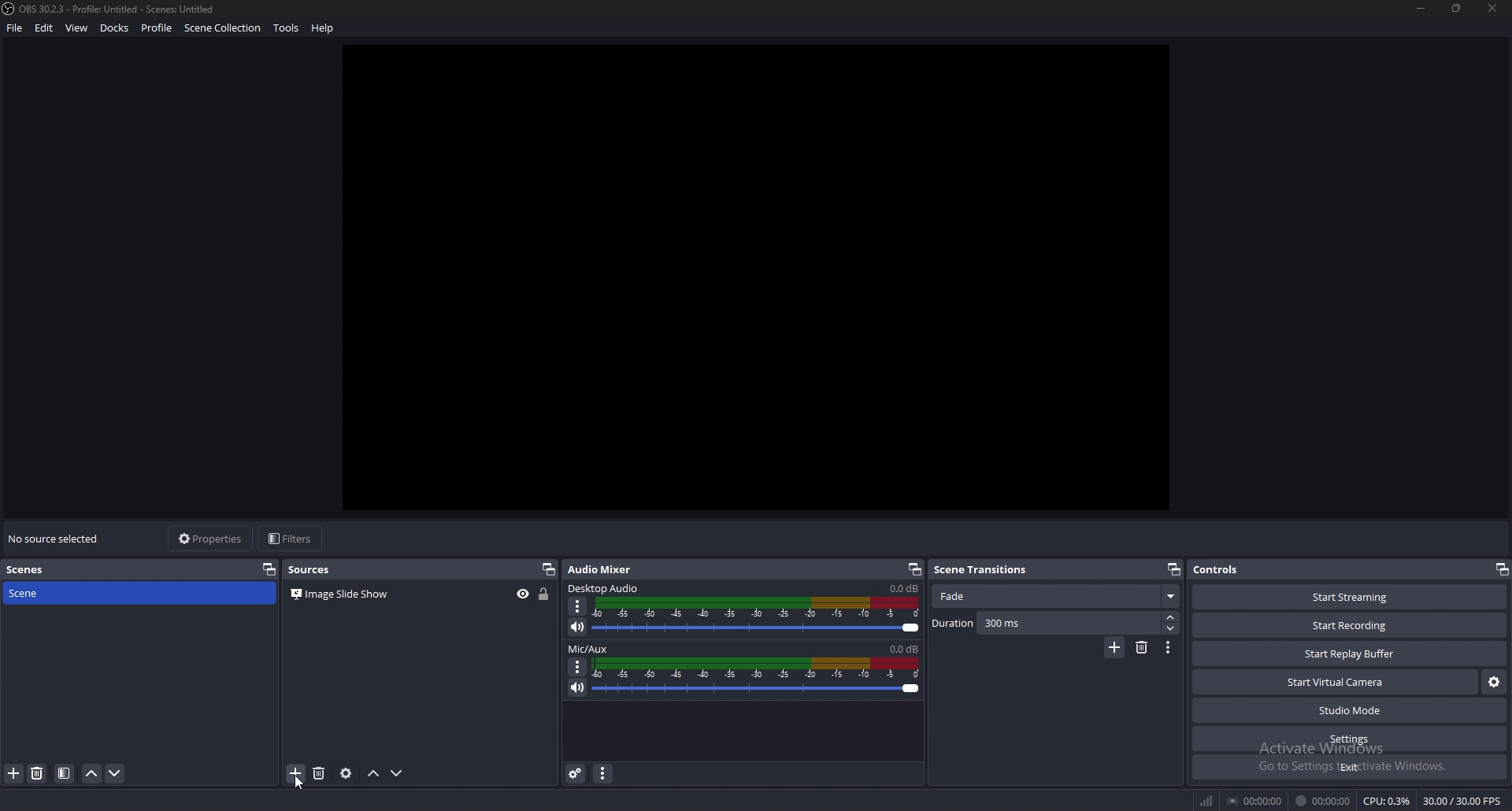  Describe the element at coordinates (1348, 739) in the screenshot. I see `settings` at that location.